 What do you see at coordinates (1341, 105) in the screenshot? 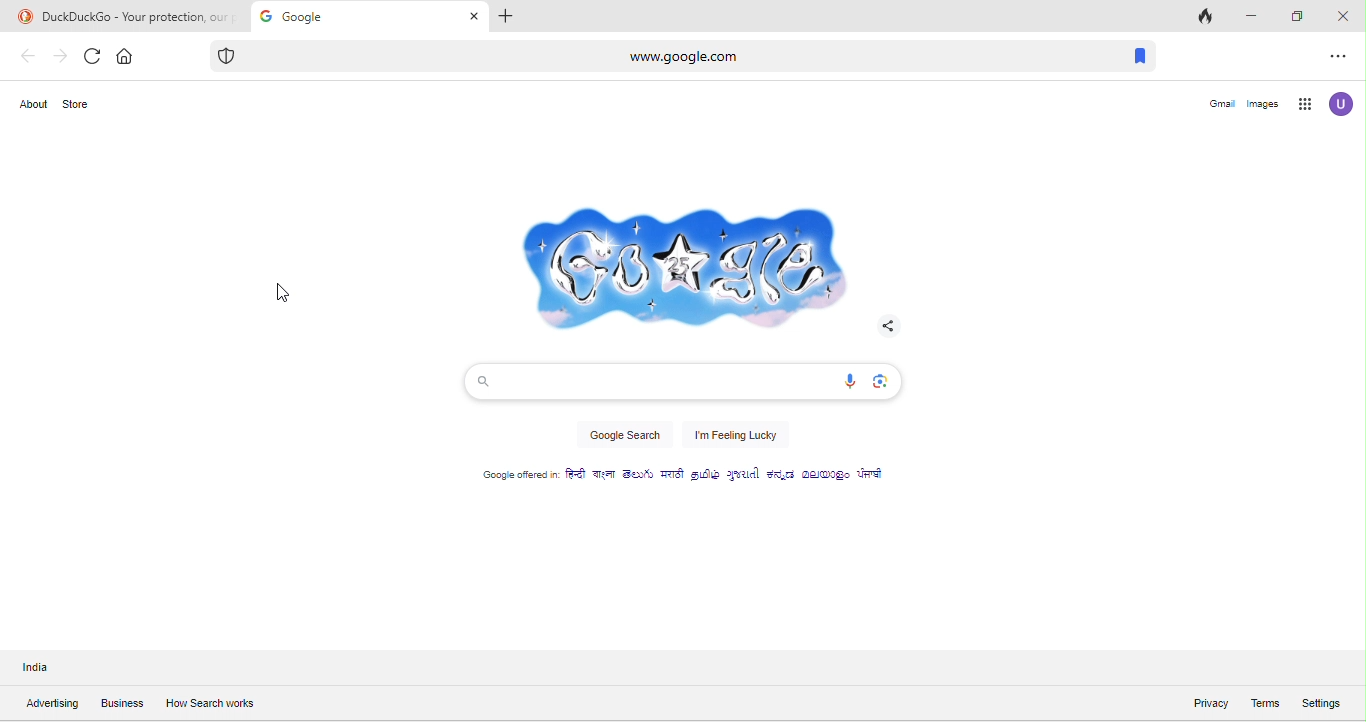
I see `account` at bounding box center [1341, 105].